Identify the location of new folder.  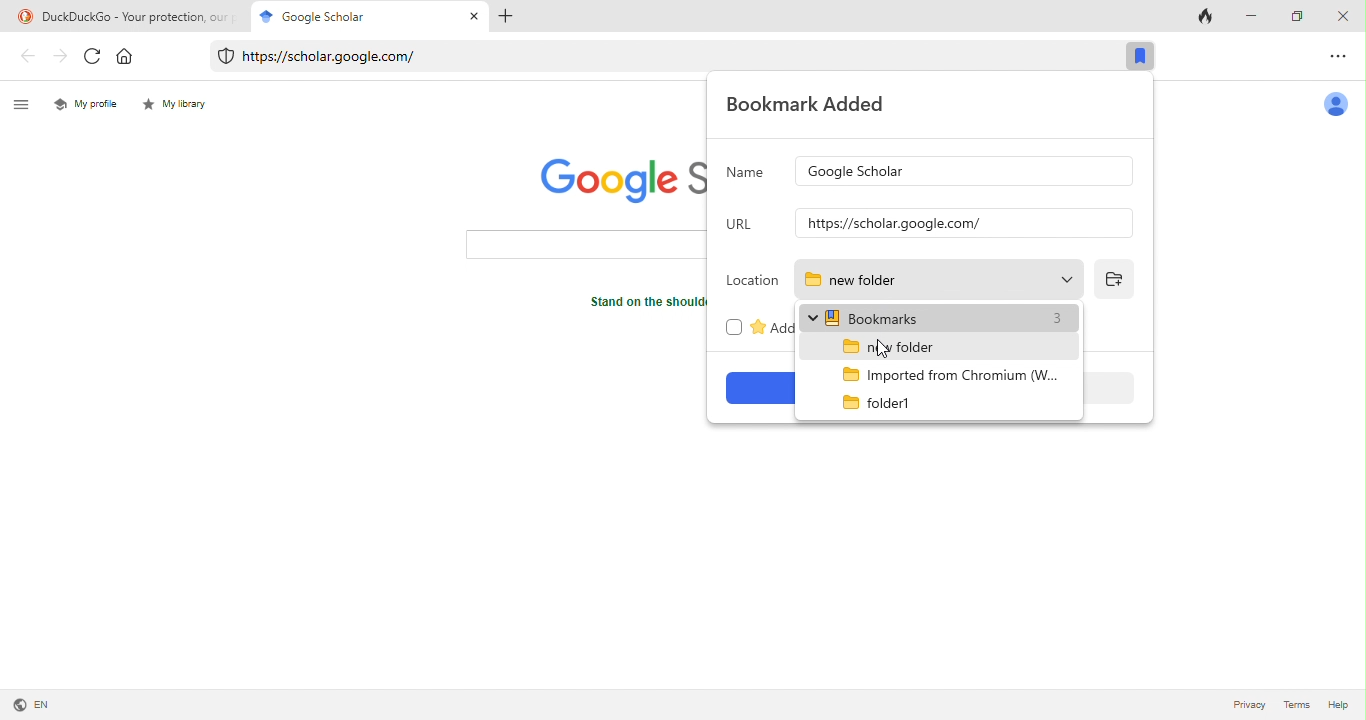
(941, 280).